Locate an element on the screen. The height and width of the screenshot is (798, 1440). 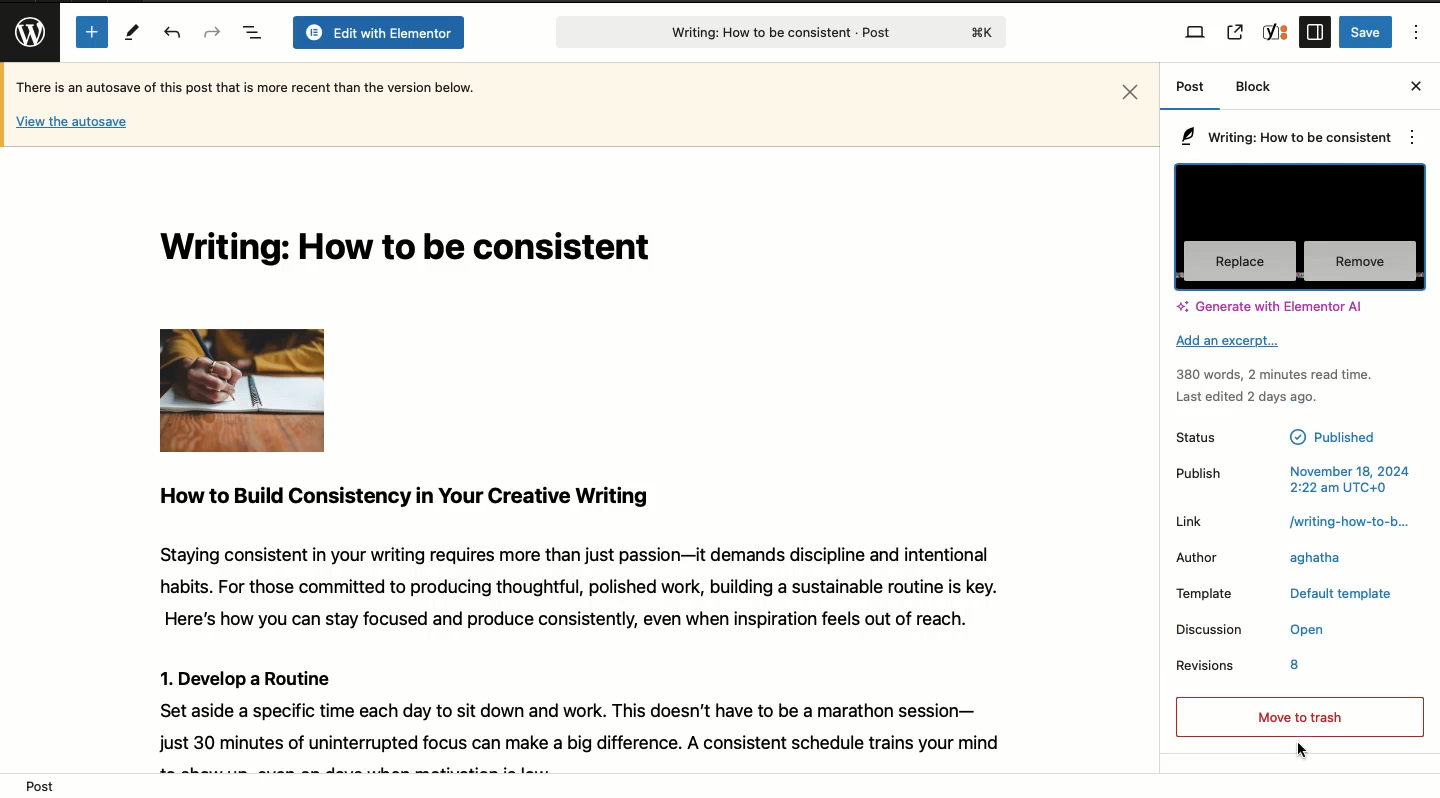
How to Build Consistency in Your Creative Writing

Staying consistent in your writing requires more than just passion—it demands discipline and intentional
habits. For those committed to producing thoughtful, polished work, building a sustainable routine is key.
Here's how you can stay focused and produce consistently, even when inspiration feels out of reach.

1. Develop a Routine

Set aside a specific time each day to sit down and work. This doesn't have to be a marathon session—
just 30 minutes of uninterrupted focus can make a big difference. A consistent schedule trains your mind is located at coordinates (587, 621).